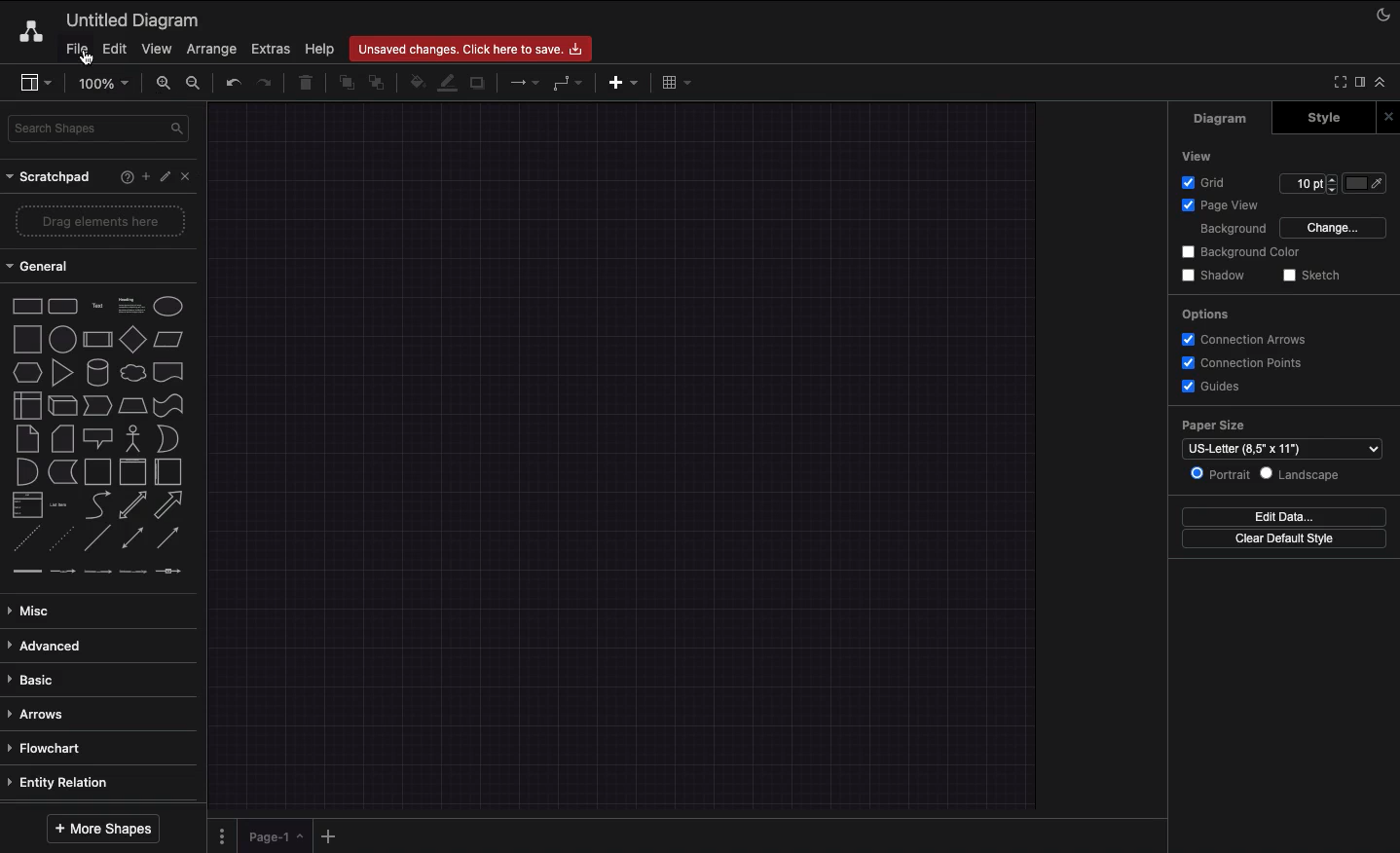 This screenshot has width=1400, height=853. Describe the element at coordinates (168, 306) in the screenshot. I see `Circle` at that location.